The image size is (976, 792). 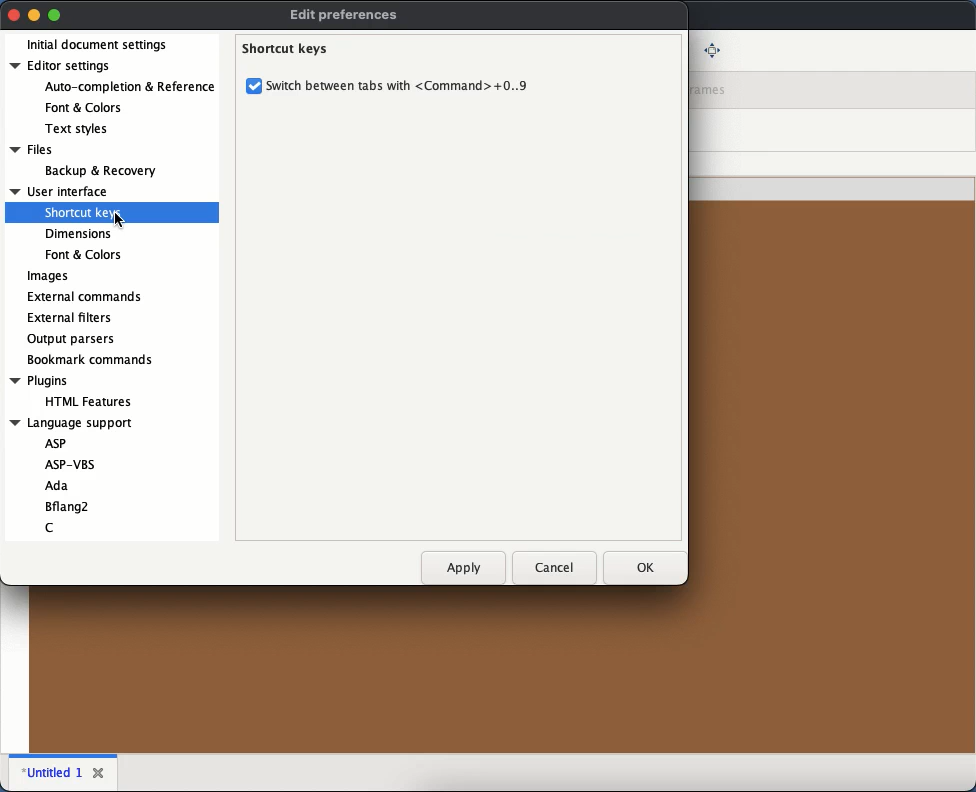 I want to click on untitled 1, so click(x=51, y=772).